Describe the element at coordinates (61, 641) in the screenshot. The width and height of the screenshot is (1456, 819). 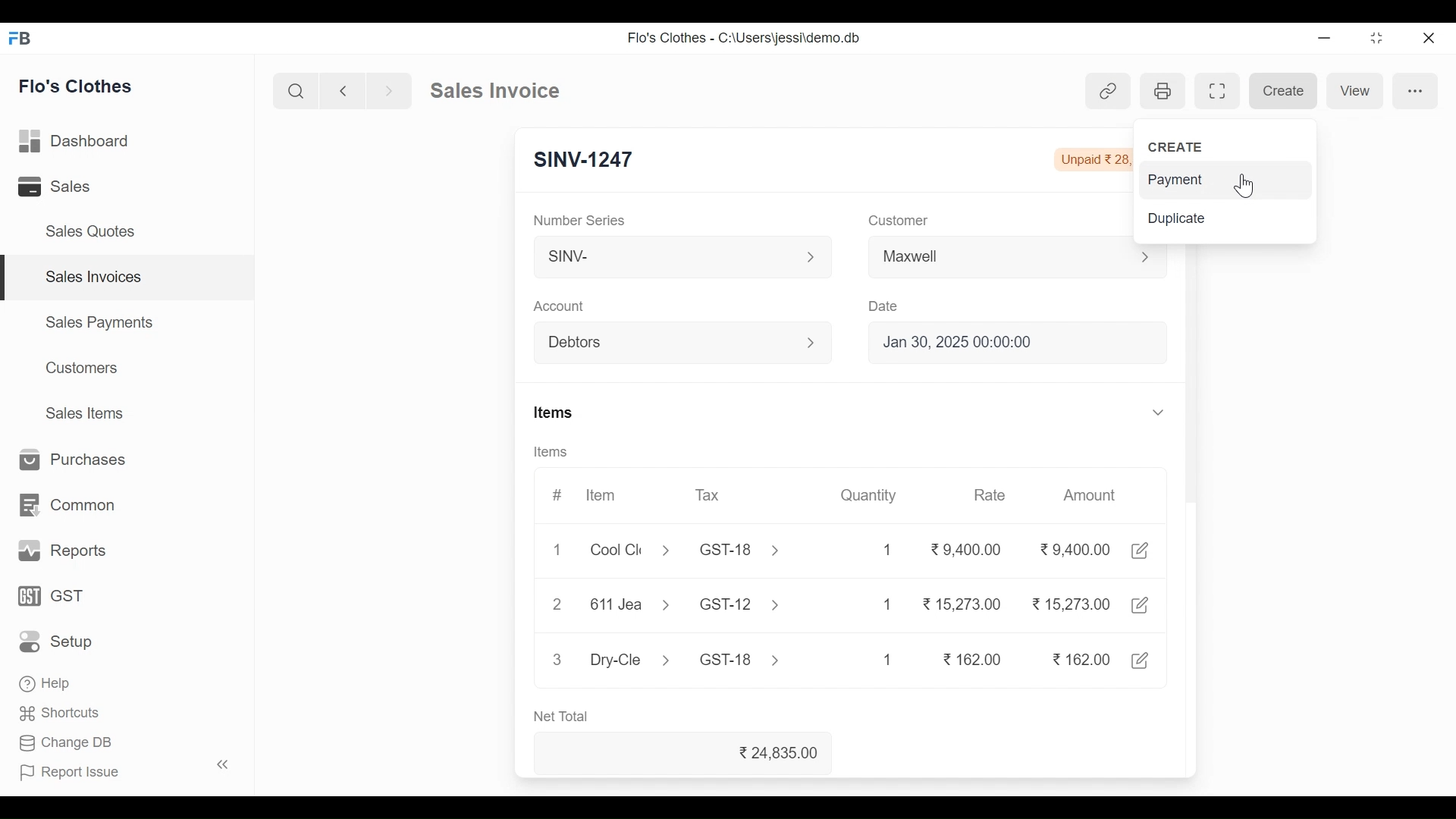
I see `Setup` at that location.